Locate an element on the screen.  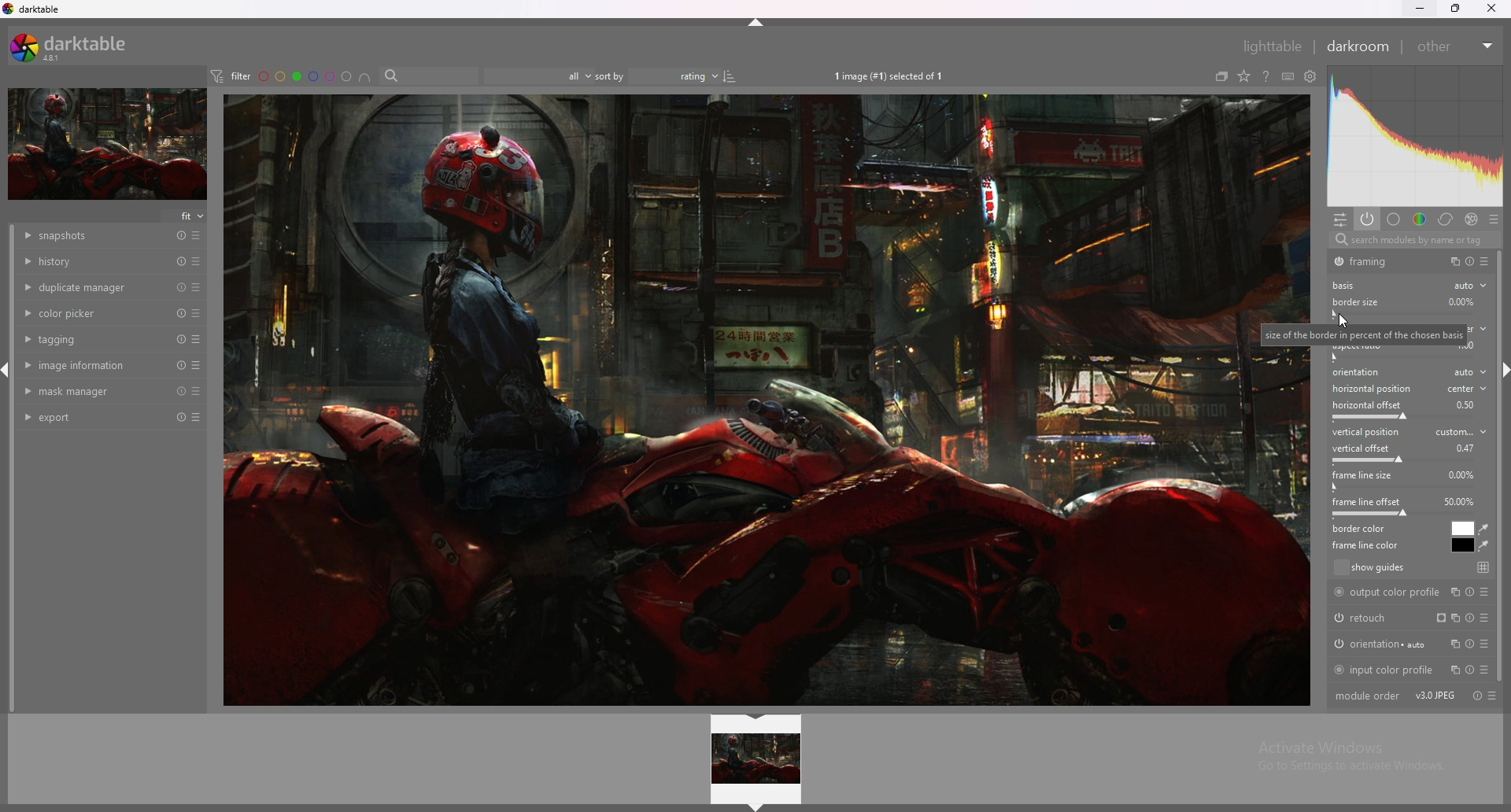
photo heatmap is located at coordinates (1414, 138).